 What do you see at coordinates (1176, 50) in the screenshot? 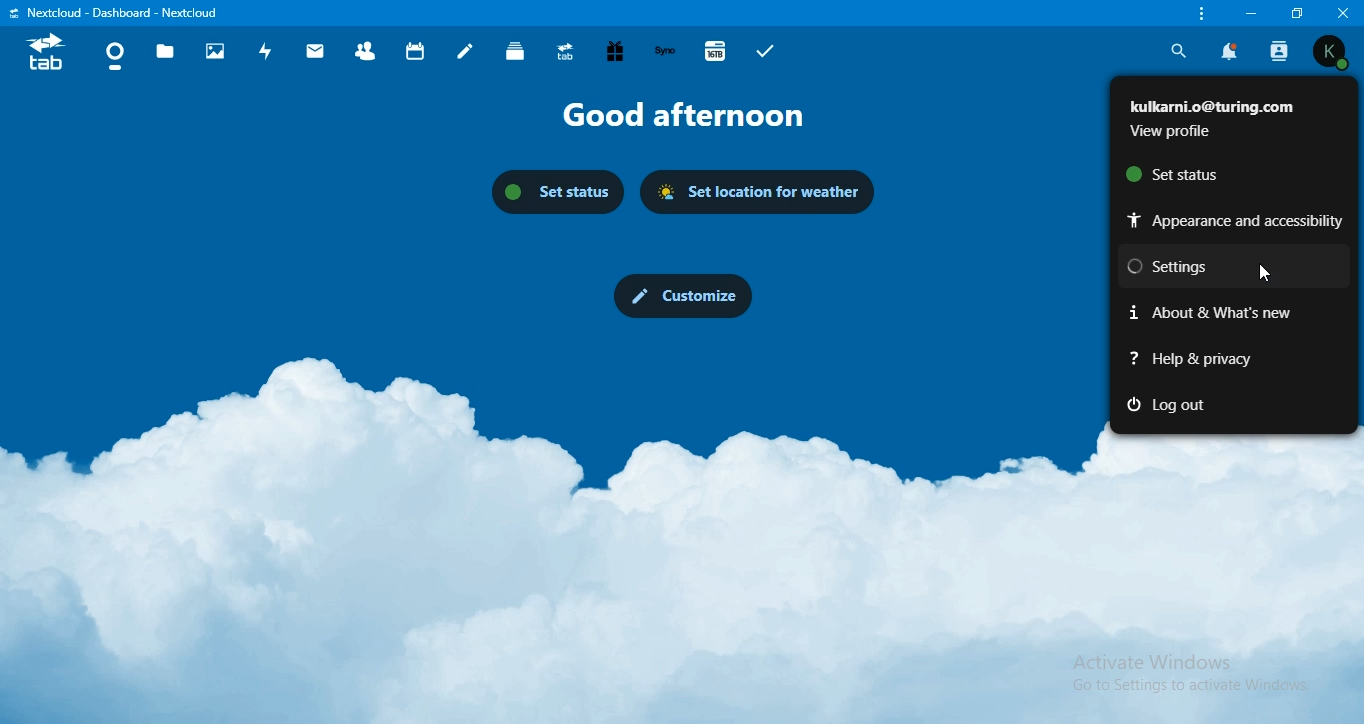
I see `search` at bounding box center [1176, 50].